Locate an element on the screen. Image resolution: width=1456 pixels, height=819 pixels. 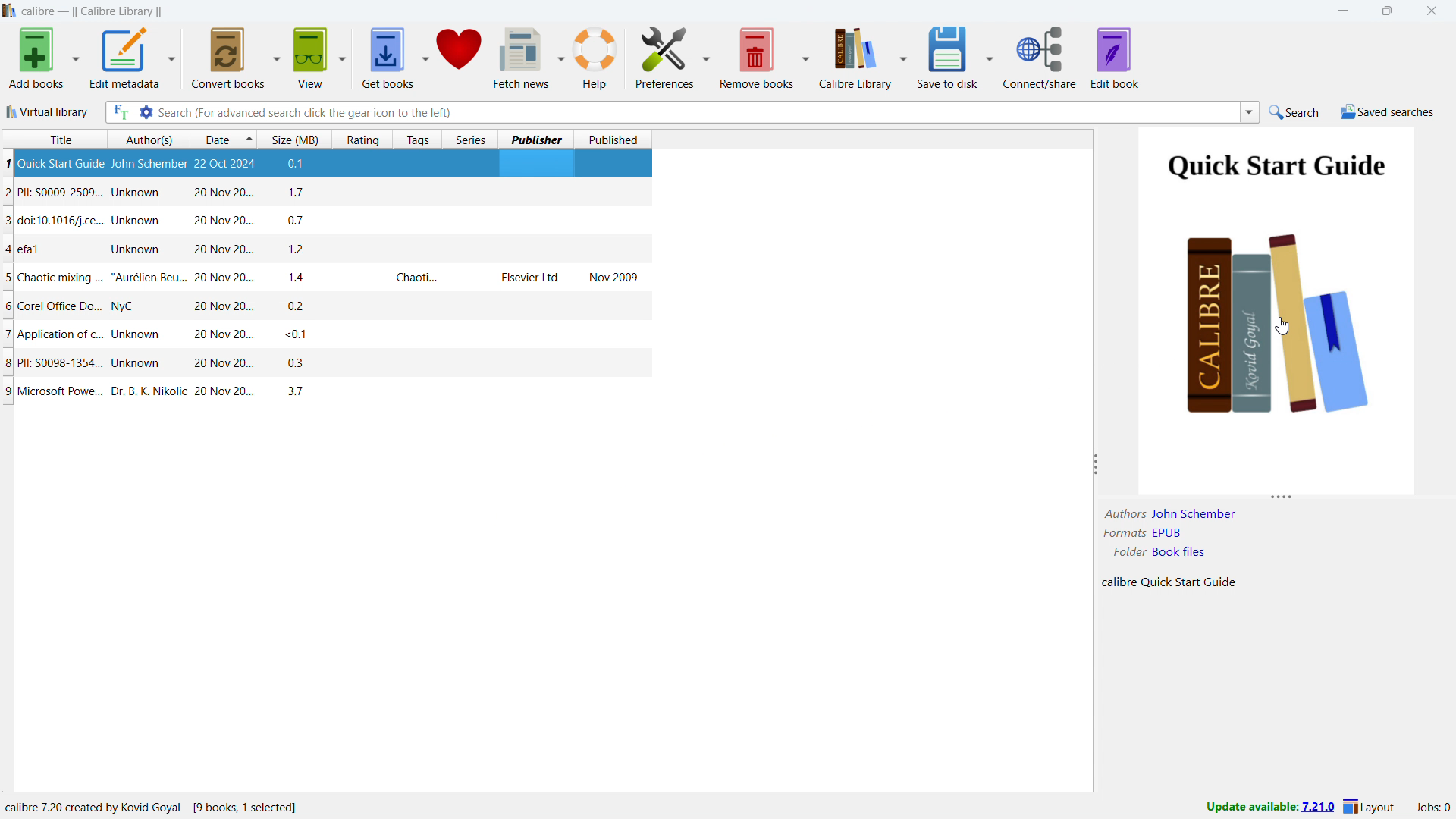
efal  is located at coordinates (36, 249).